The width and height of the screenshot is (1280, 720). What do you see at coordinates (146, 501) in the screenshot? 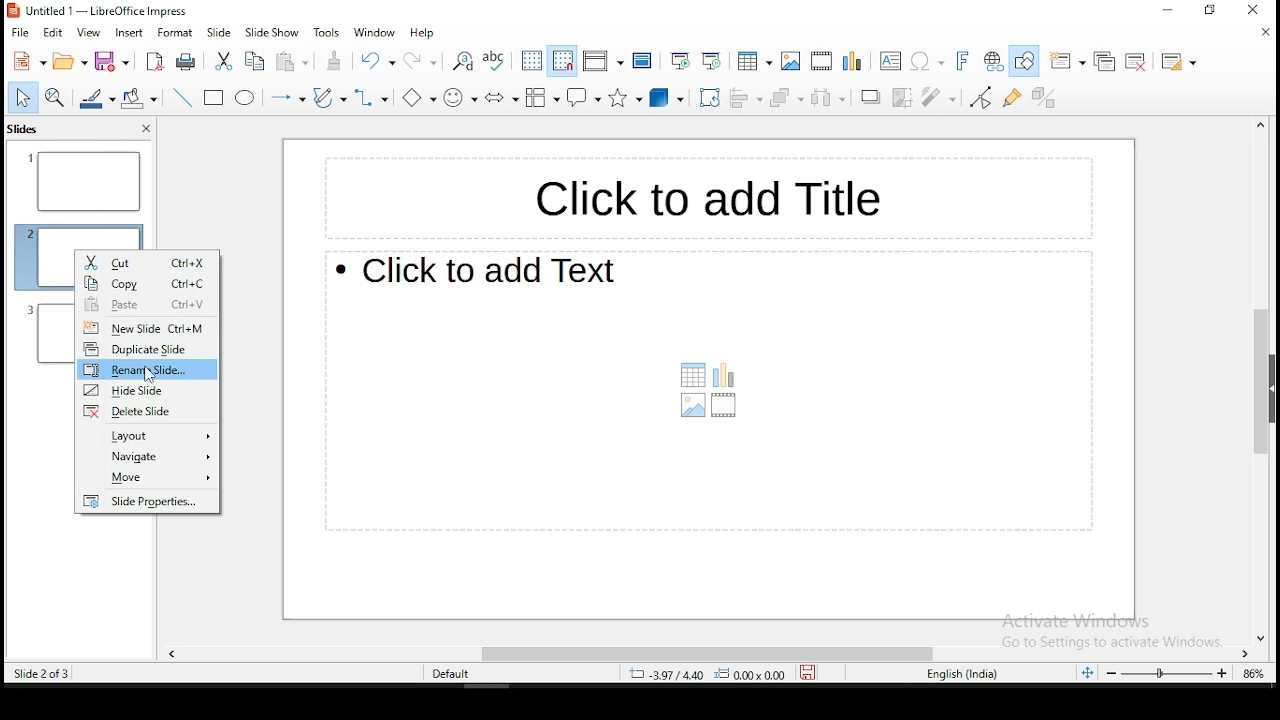
I see `slide properties` at bounding box center [146, 501].